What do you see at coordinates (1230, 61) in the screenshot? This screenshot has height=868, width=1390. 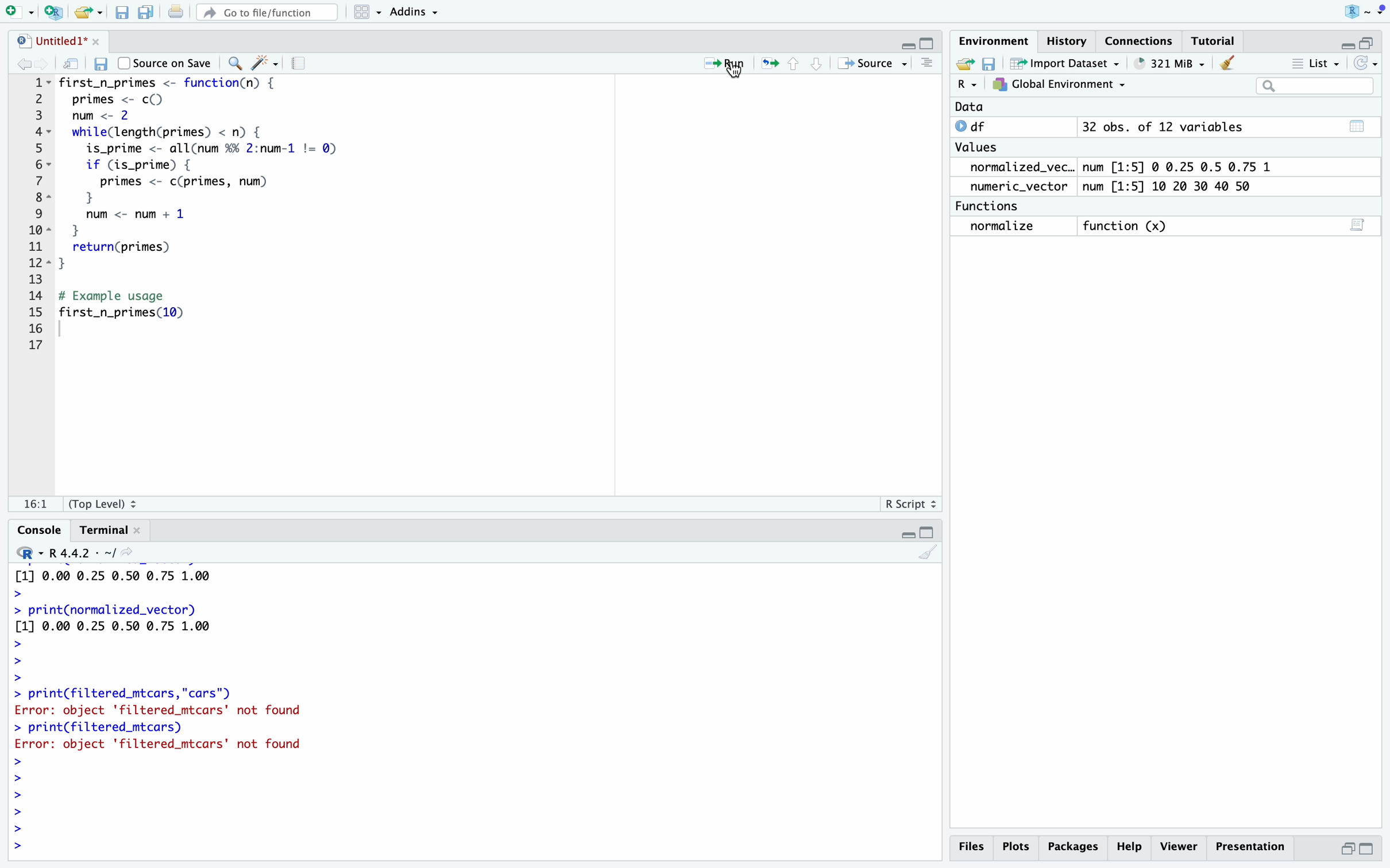 I see `Clear console` at bounding box center [1230, 61].